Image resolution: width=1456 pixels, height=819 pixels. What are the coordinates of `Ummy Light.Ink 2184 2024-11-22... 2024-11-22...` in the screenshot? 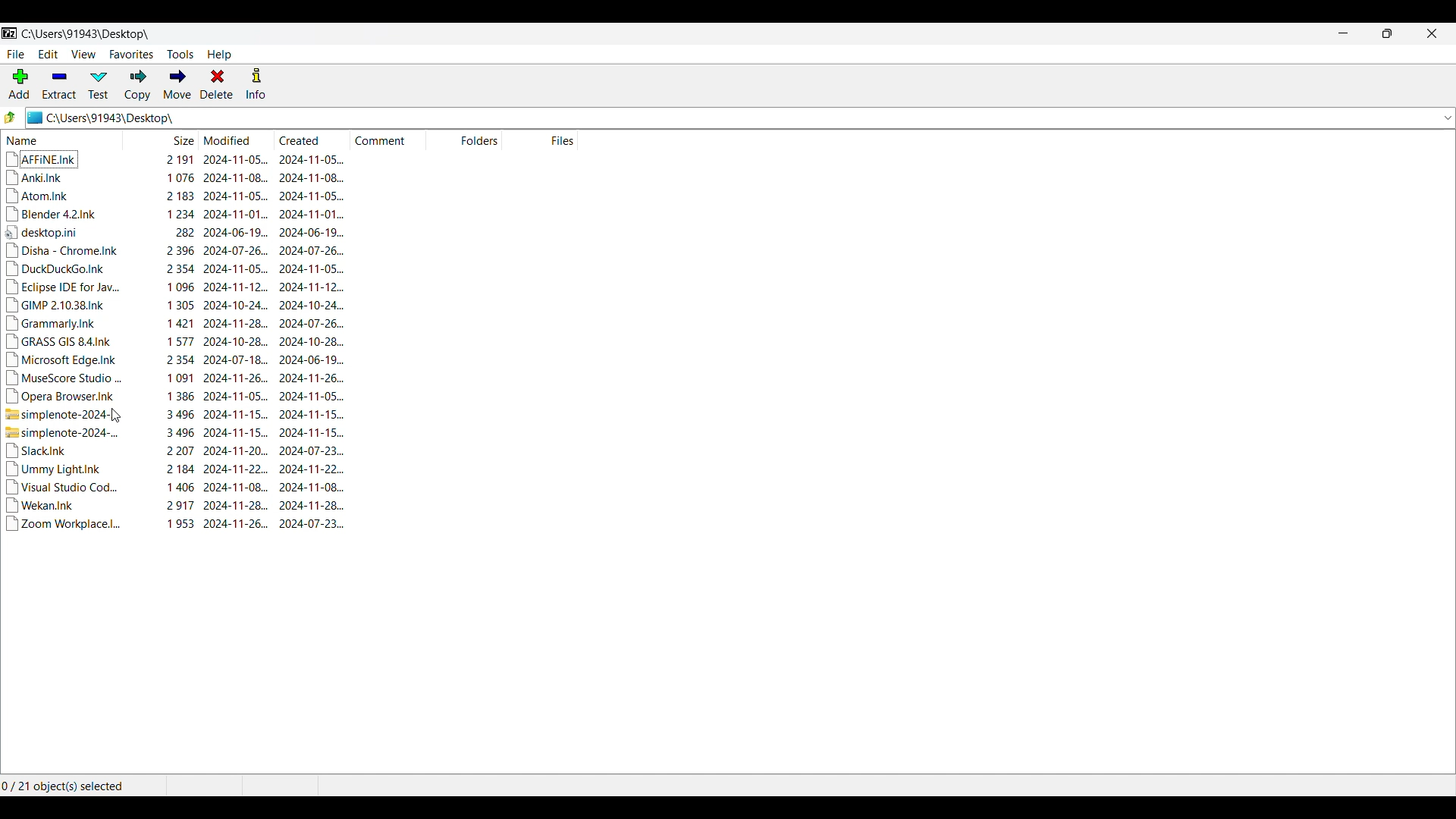 It's located at (178, 469).